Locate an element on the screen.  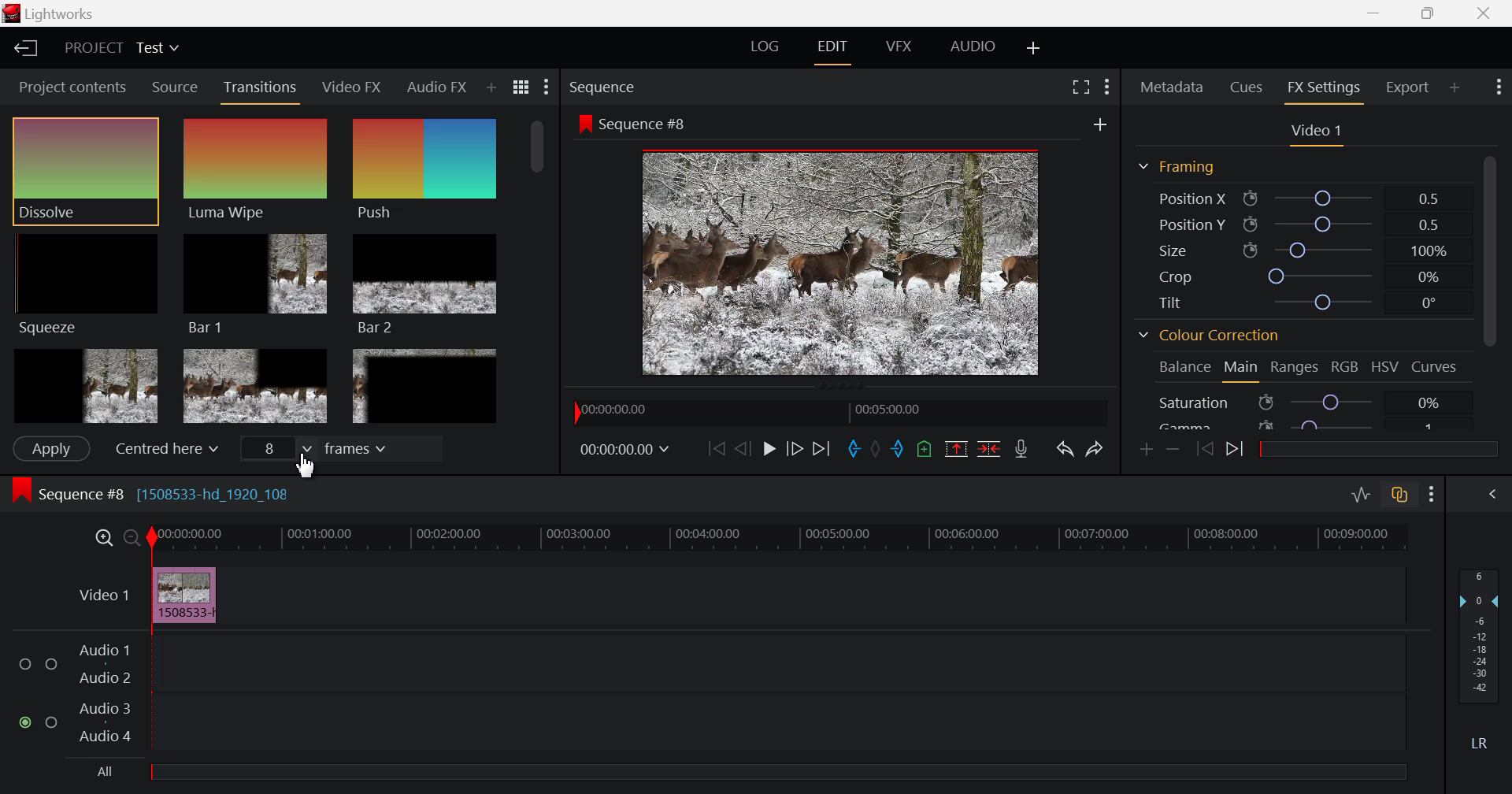
Play is located at coordinates (765, 447).